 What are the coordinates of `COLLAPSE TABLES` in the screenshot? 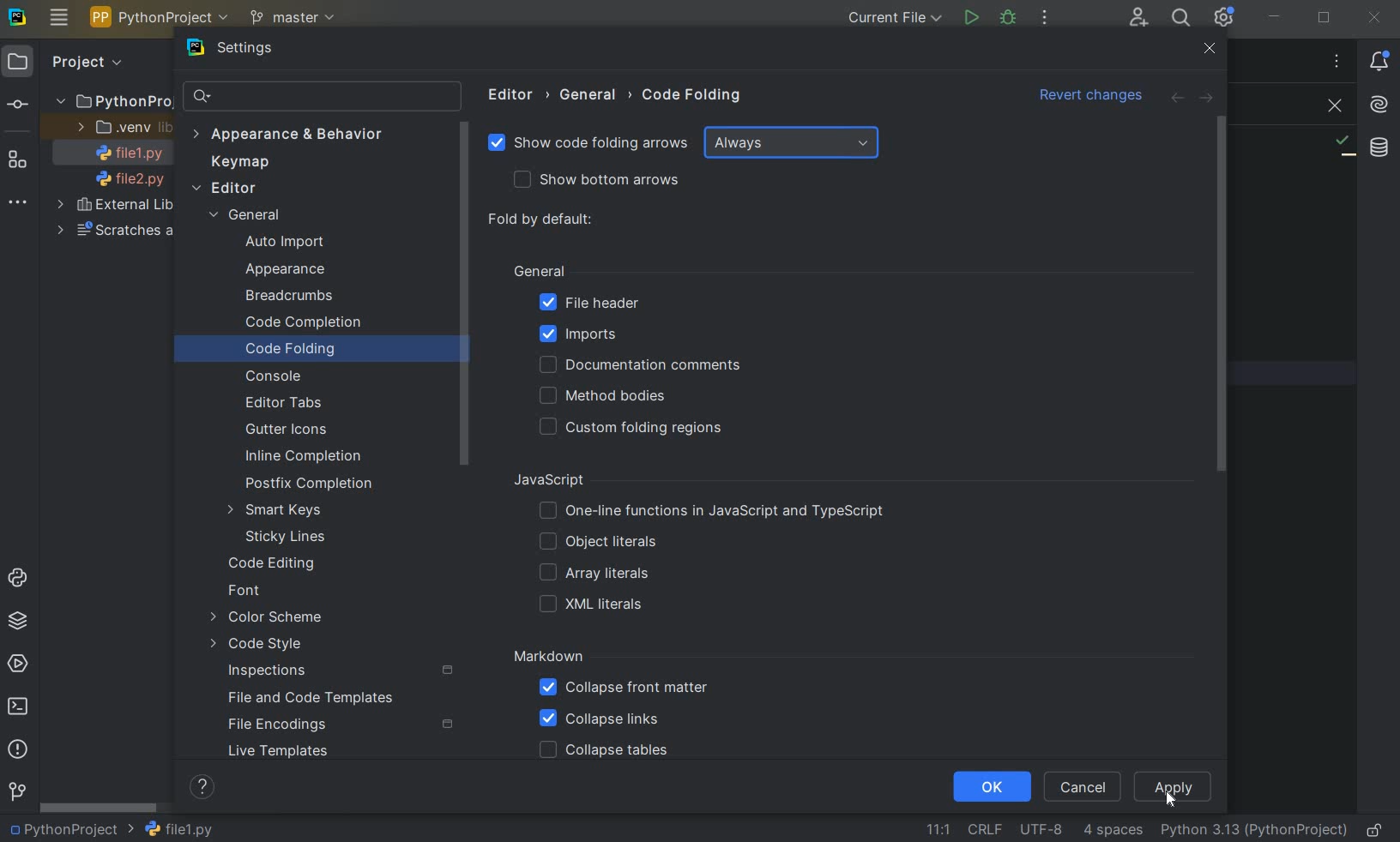 It's located at (603, 751).